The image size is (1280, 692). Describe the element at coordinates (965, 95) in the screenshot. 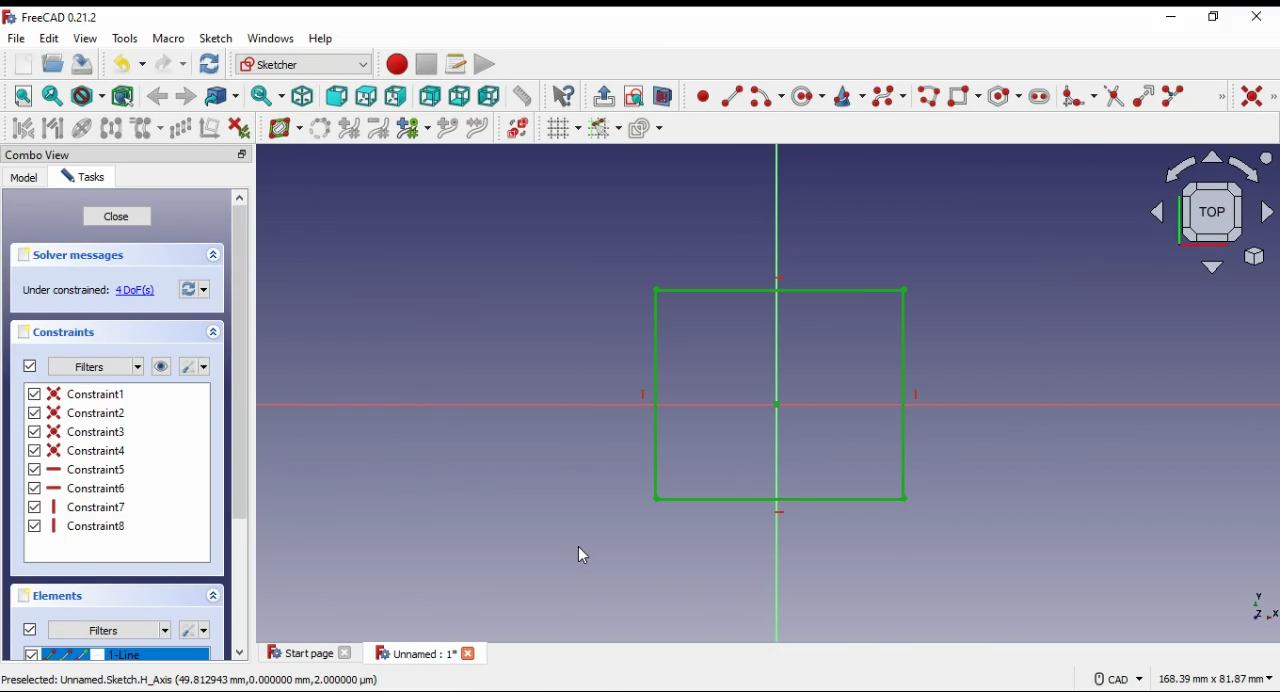

I see `create rectangle` at that location.